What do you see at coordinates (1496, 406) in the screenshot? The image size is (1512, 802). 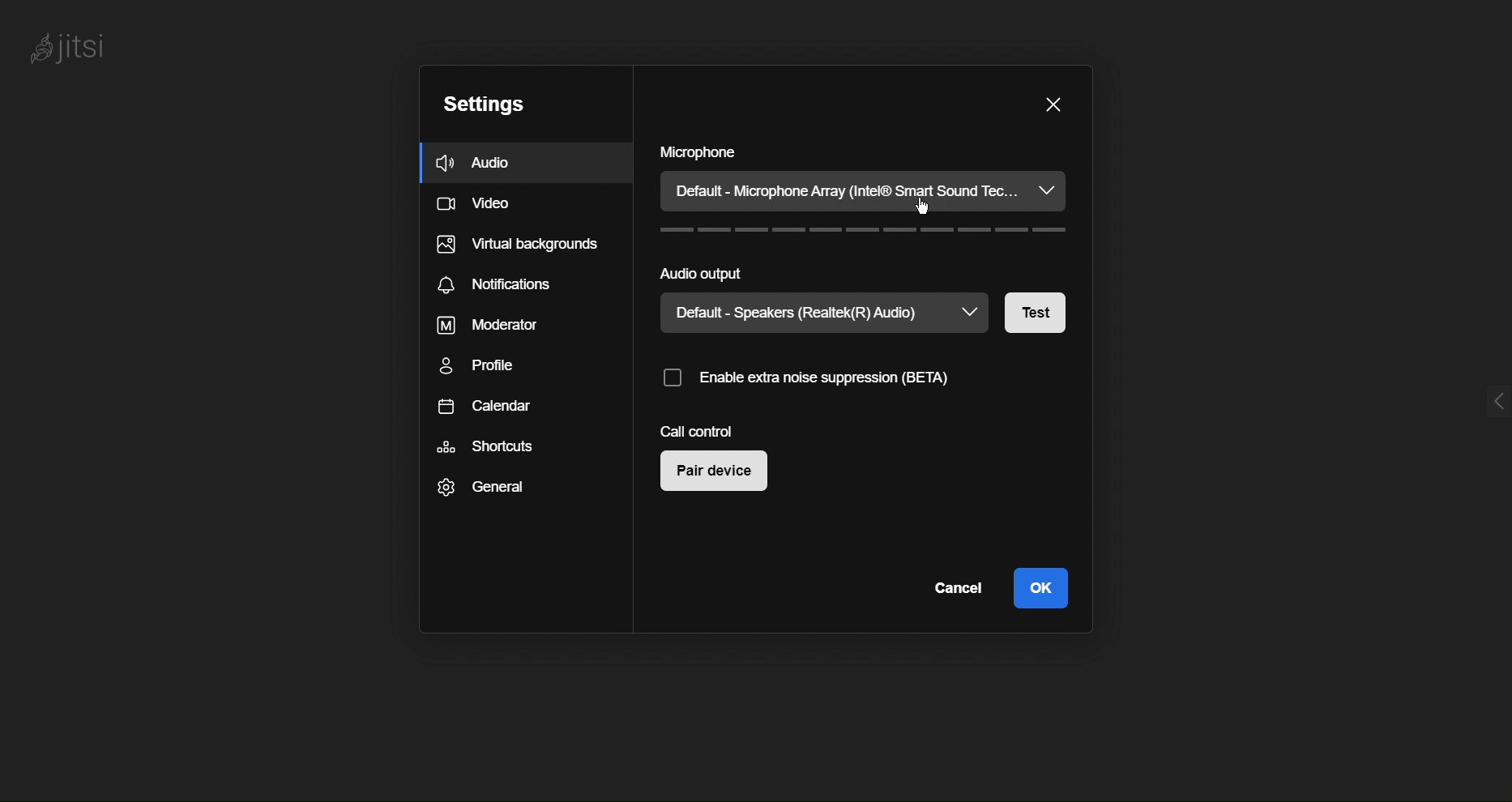 I see `menu` at bounding box center [1496, 406].